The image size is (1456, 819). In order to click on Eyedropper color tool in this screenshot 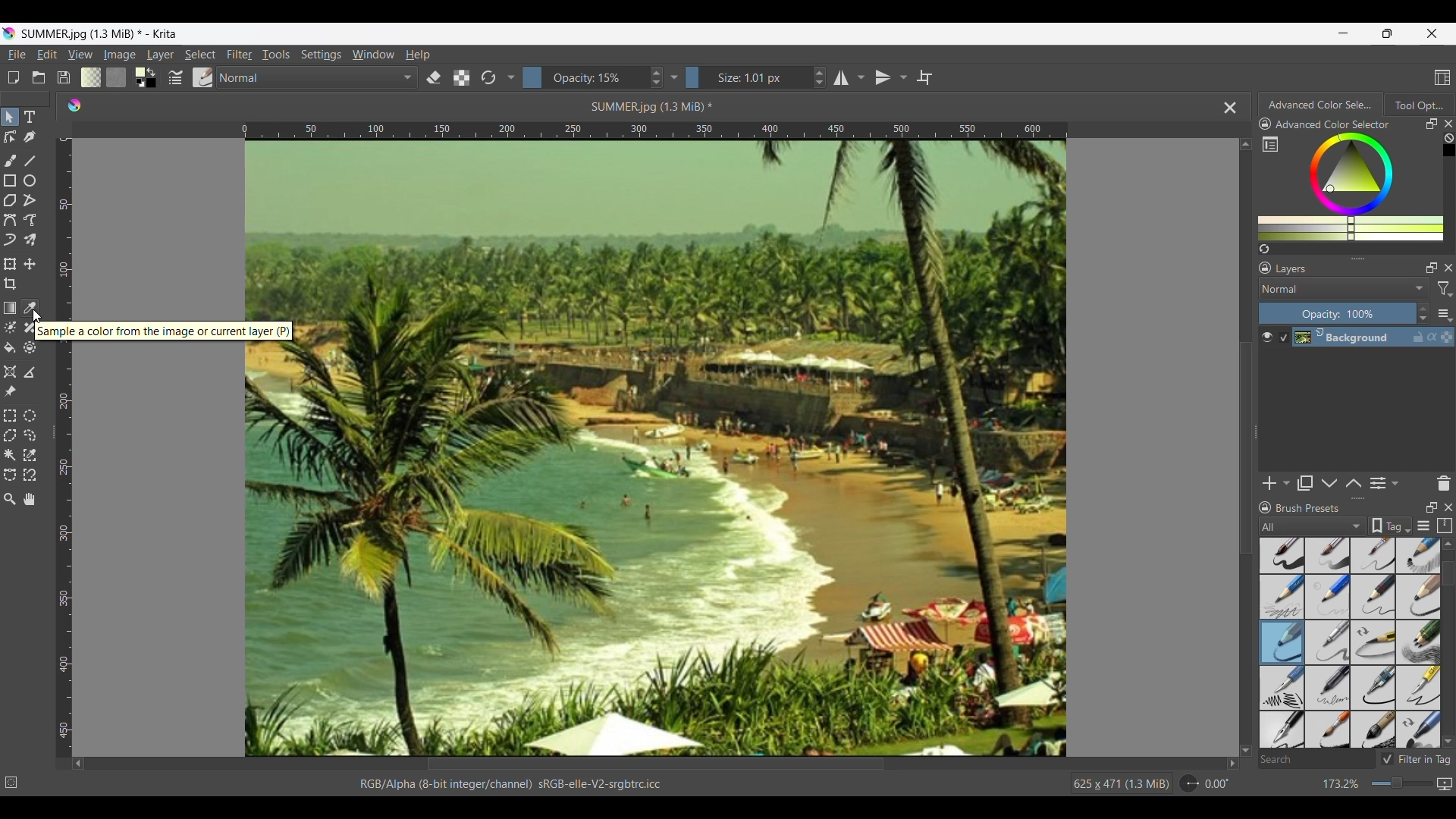, I will do `click(29, 308)`.